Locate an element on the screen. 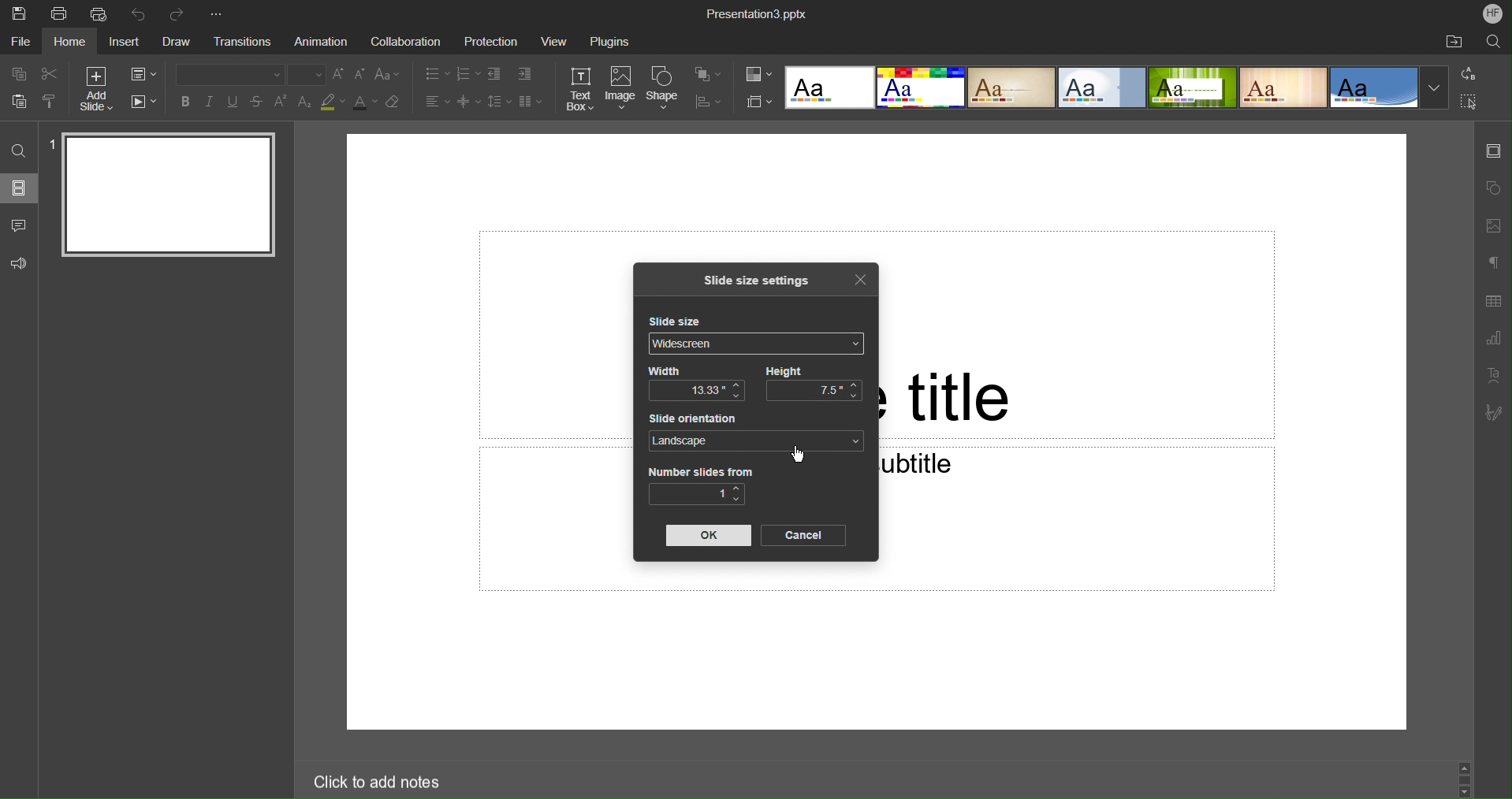  7.5" is located at coordinates (814, 391).